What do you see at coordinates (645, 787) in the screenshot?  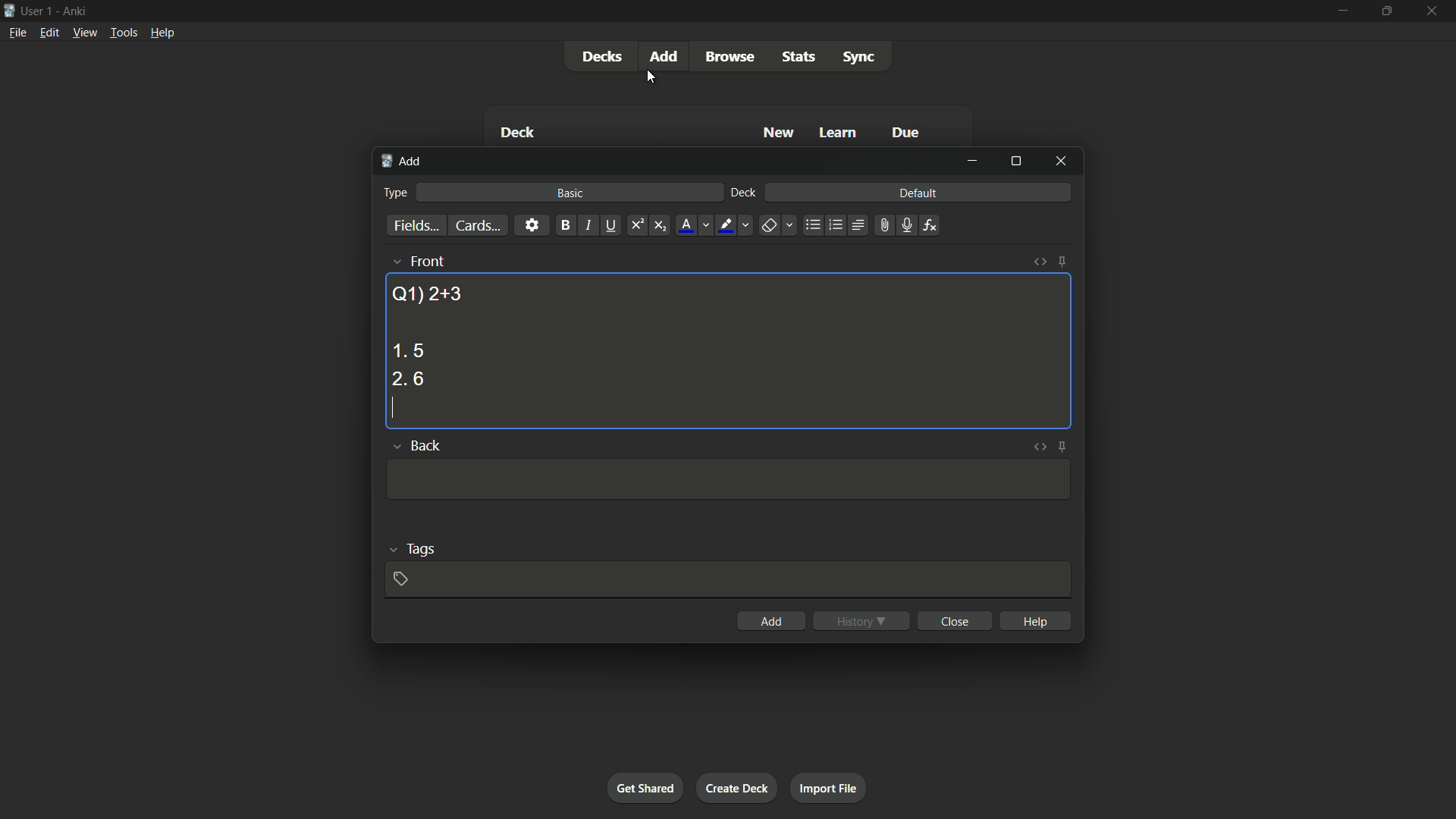 I see `get shared` at bounding box center [645, 787].